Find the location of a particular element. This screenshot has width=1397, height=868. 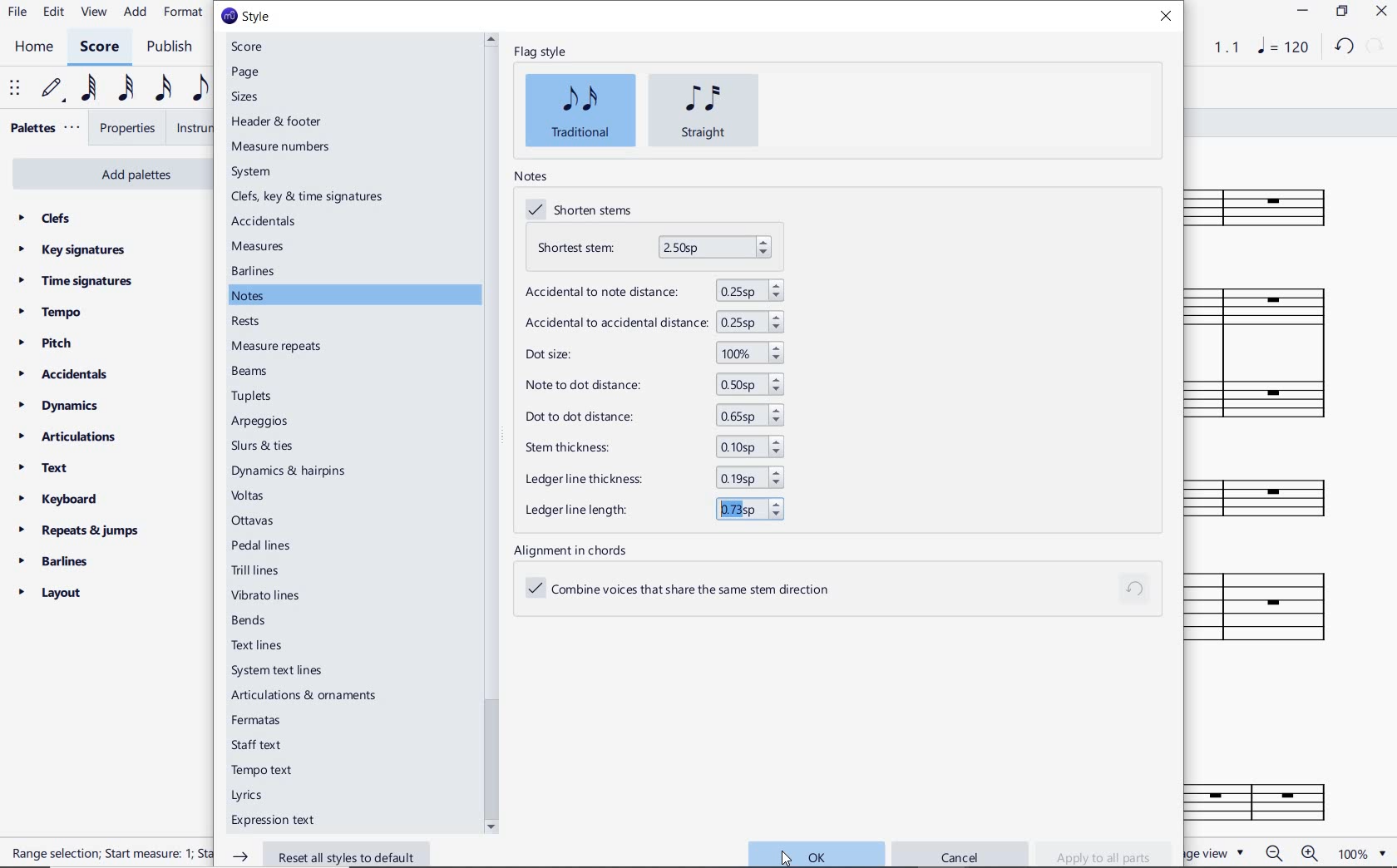

Instrument: Bass Harmonica is located at coordinates (1272, 492).